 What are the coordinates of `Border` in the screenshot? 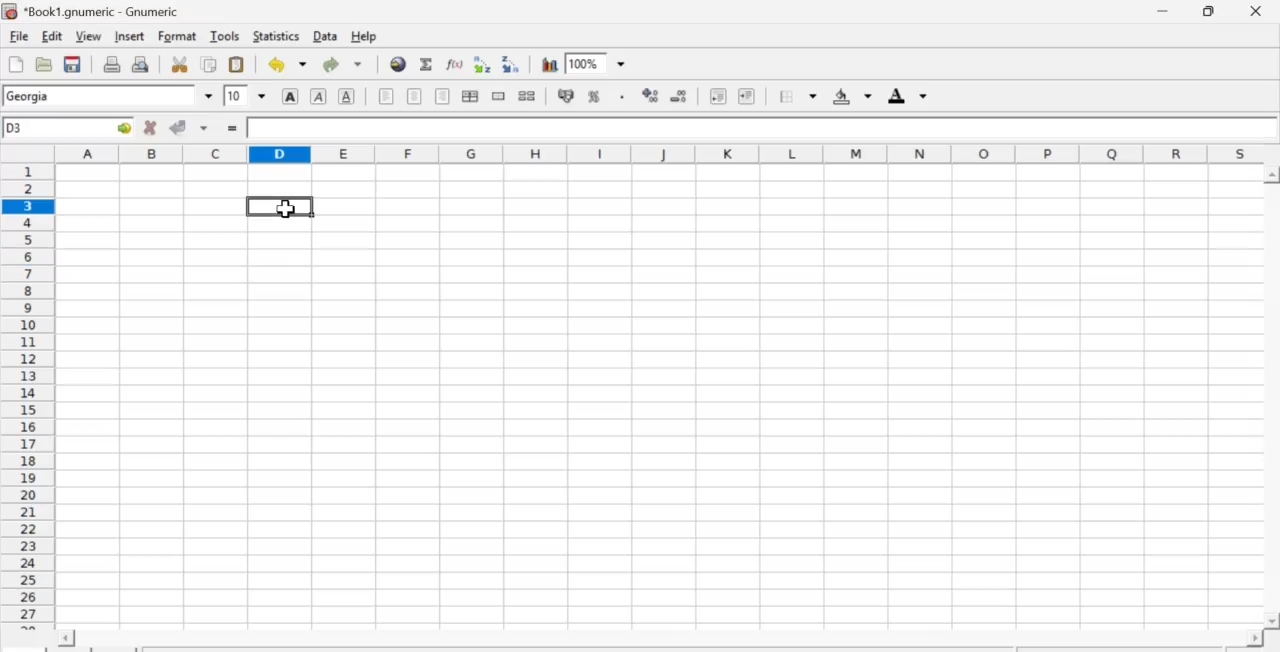 It's located at (798, 97).